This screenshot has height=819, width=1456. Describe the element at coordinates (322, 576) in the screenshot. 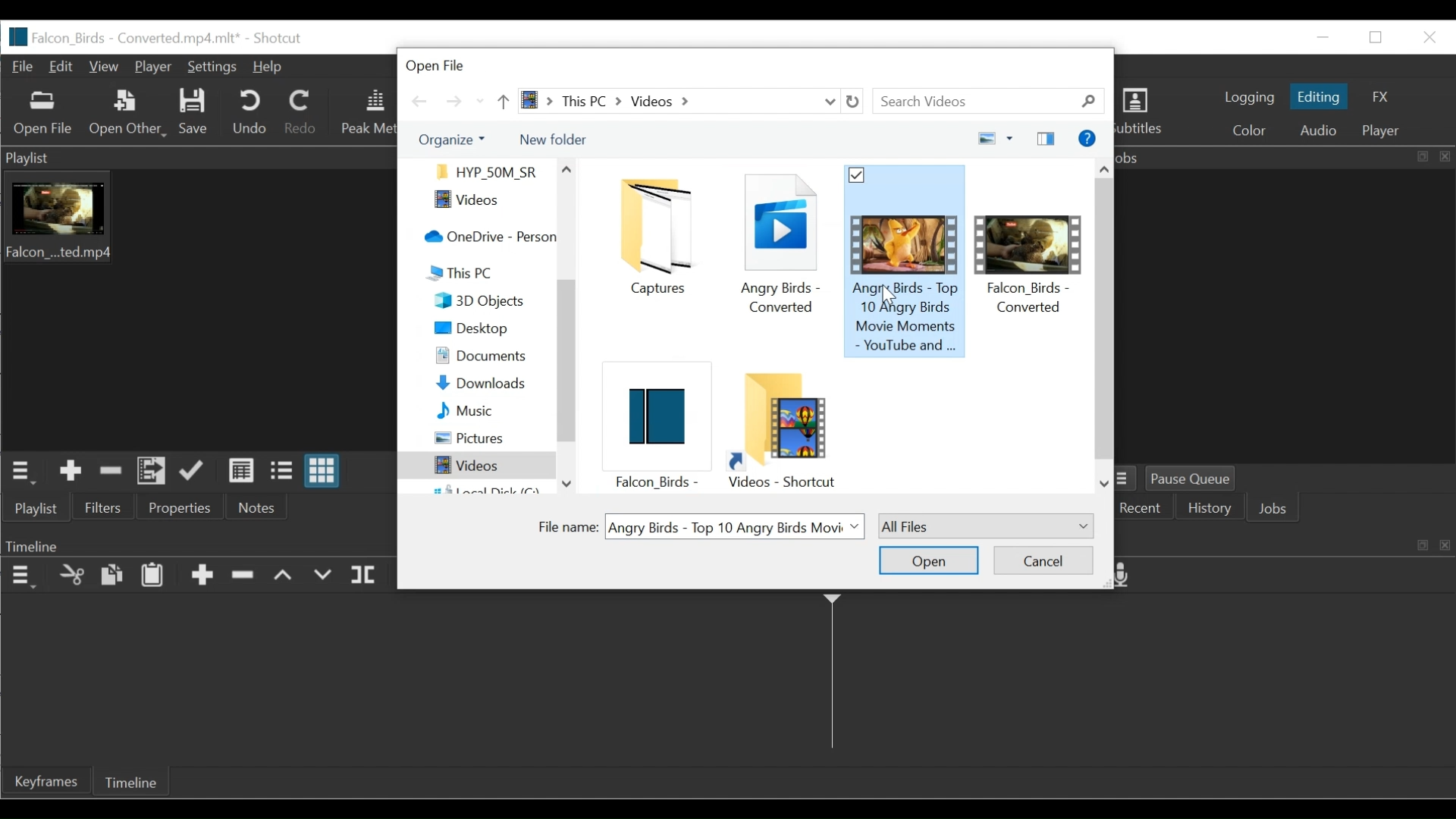

I see `Overwrite` at that location.